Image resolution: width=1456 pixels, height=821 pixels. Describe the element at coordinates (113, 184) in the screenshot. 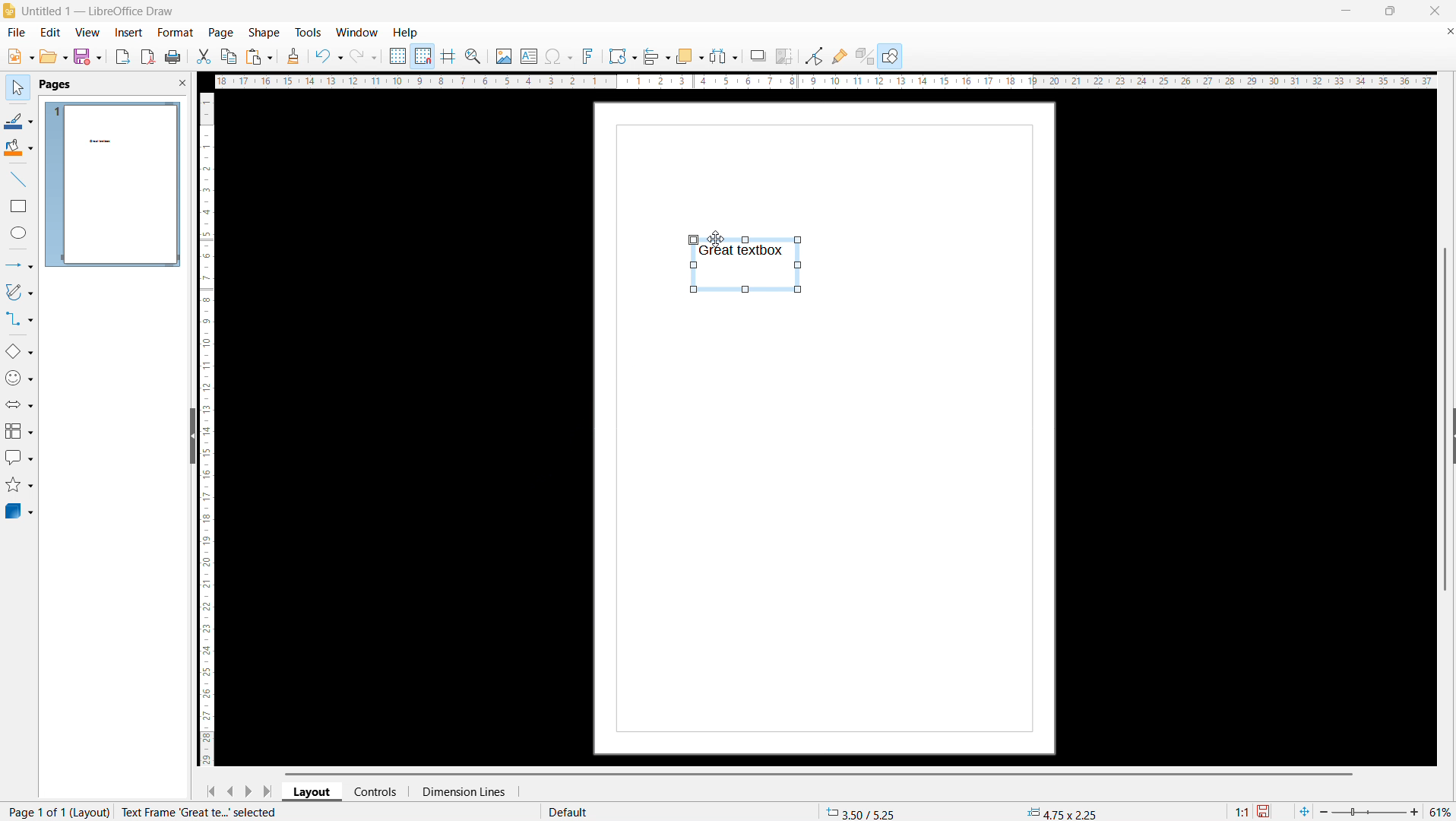

I see `page 1` at that location.